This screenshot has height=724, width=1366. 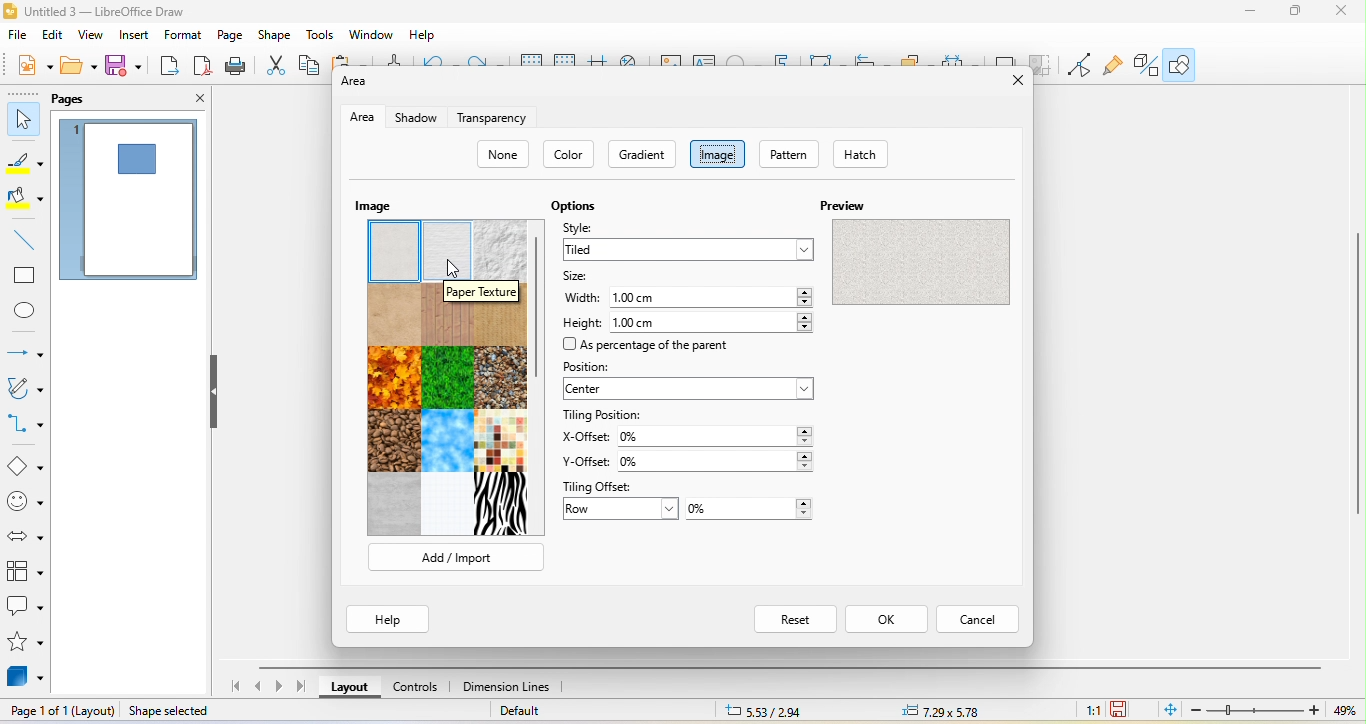 What do you see at coordinates (322, 36) in the screenshot?
I see `tools` at bounding box center [322, 36].